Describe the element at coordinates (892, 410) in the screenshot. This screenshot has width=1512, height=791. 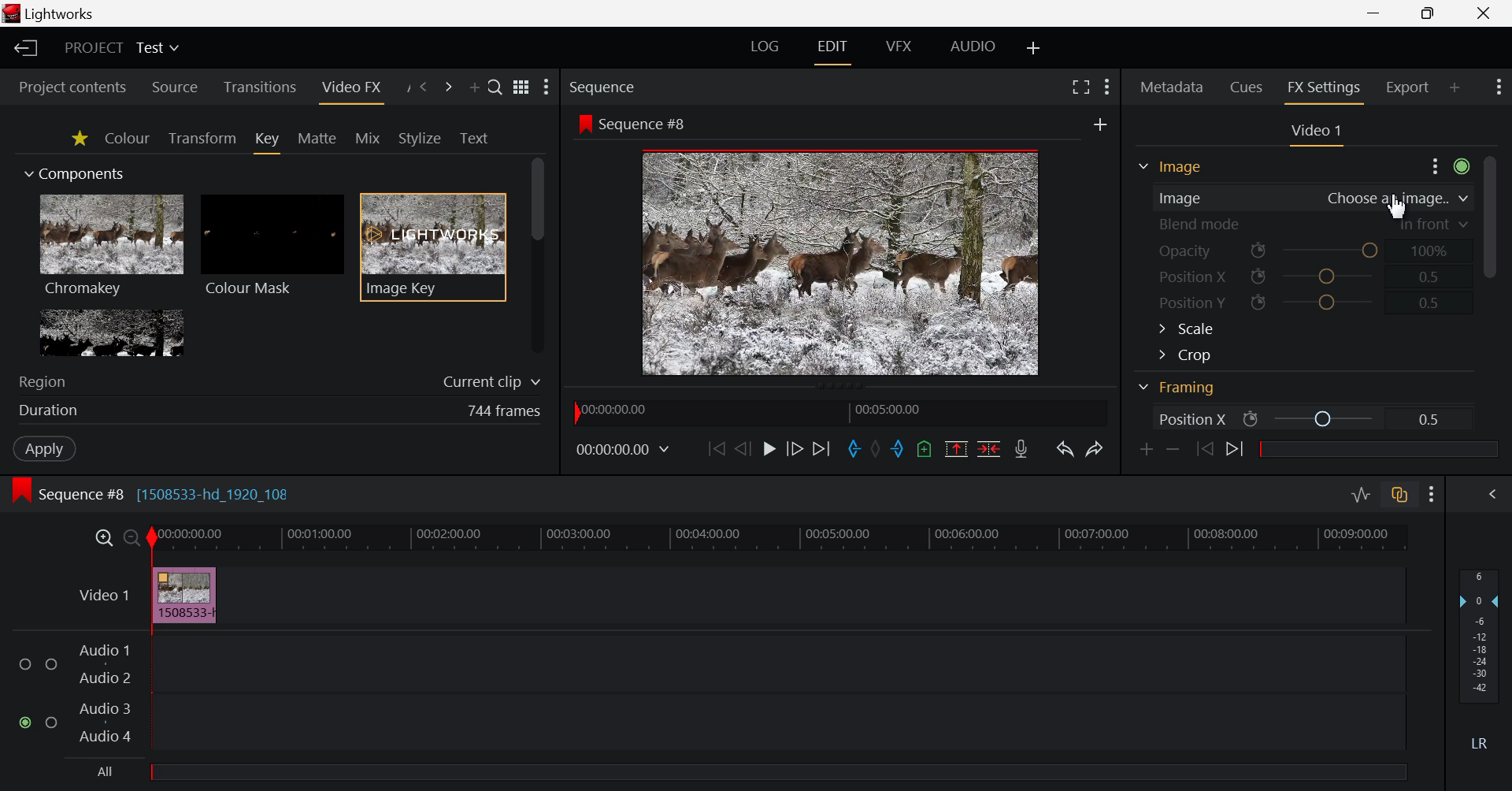
I see `00:05:00.00` at that location.